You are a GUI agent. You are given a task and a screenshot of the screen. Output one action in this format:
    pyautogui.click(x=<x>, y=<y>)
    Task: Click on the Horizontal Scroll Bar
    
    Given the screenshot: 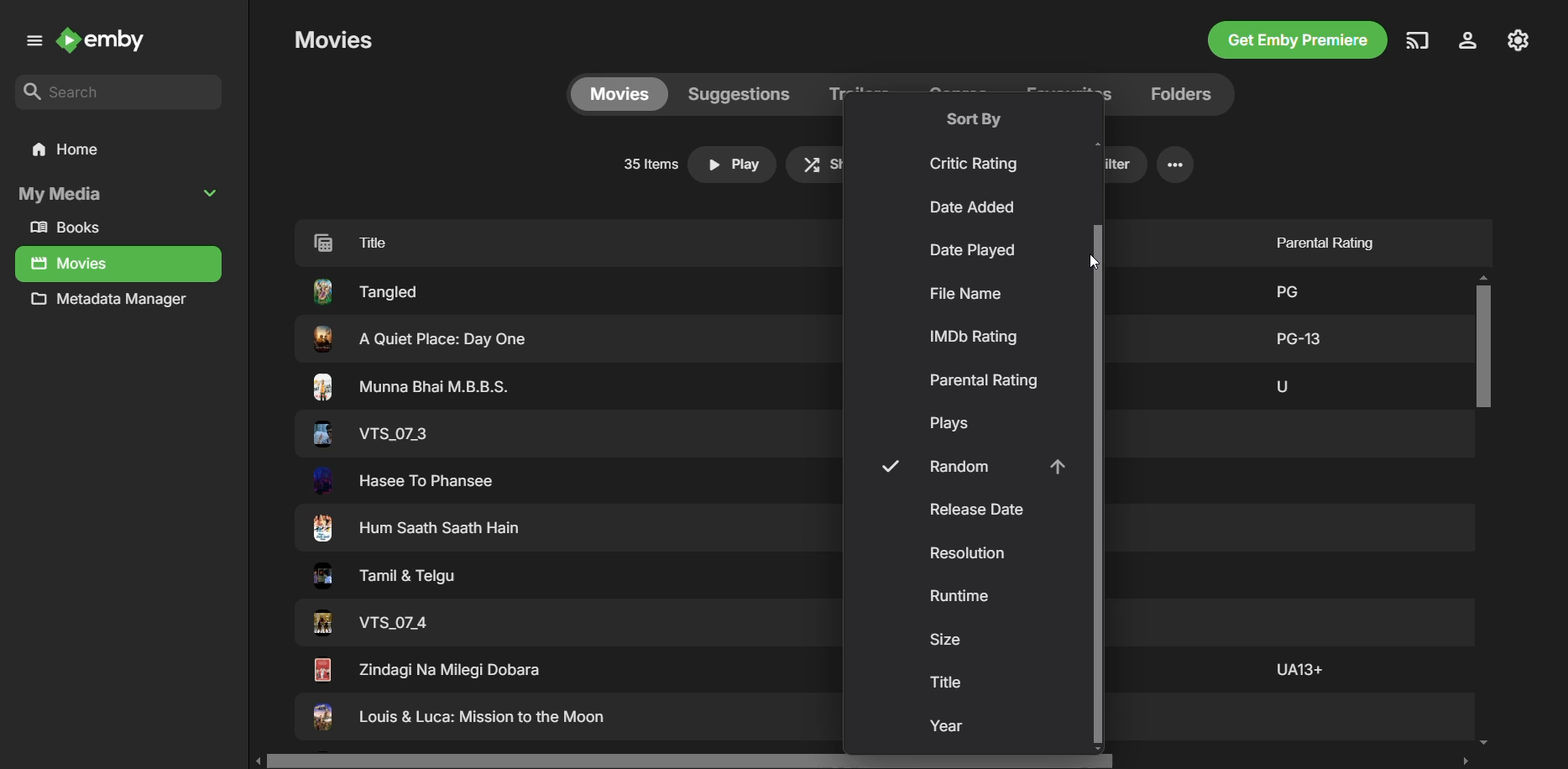 What is the action you would take?
    pyautogui.click(x=867, y=761)
    